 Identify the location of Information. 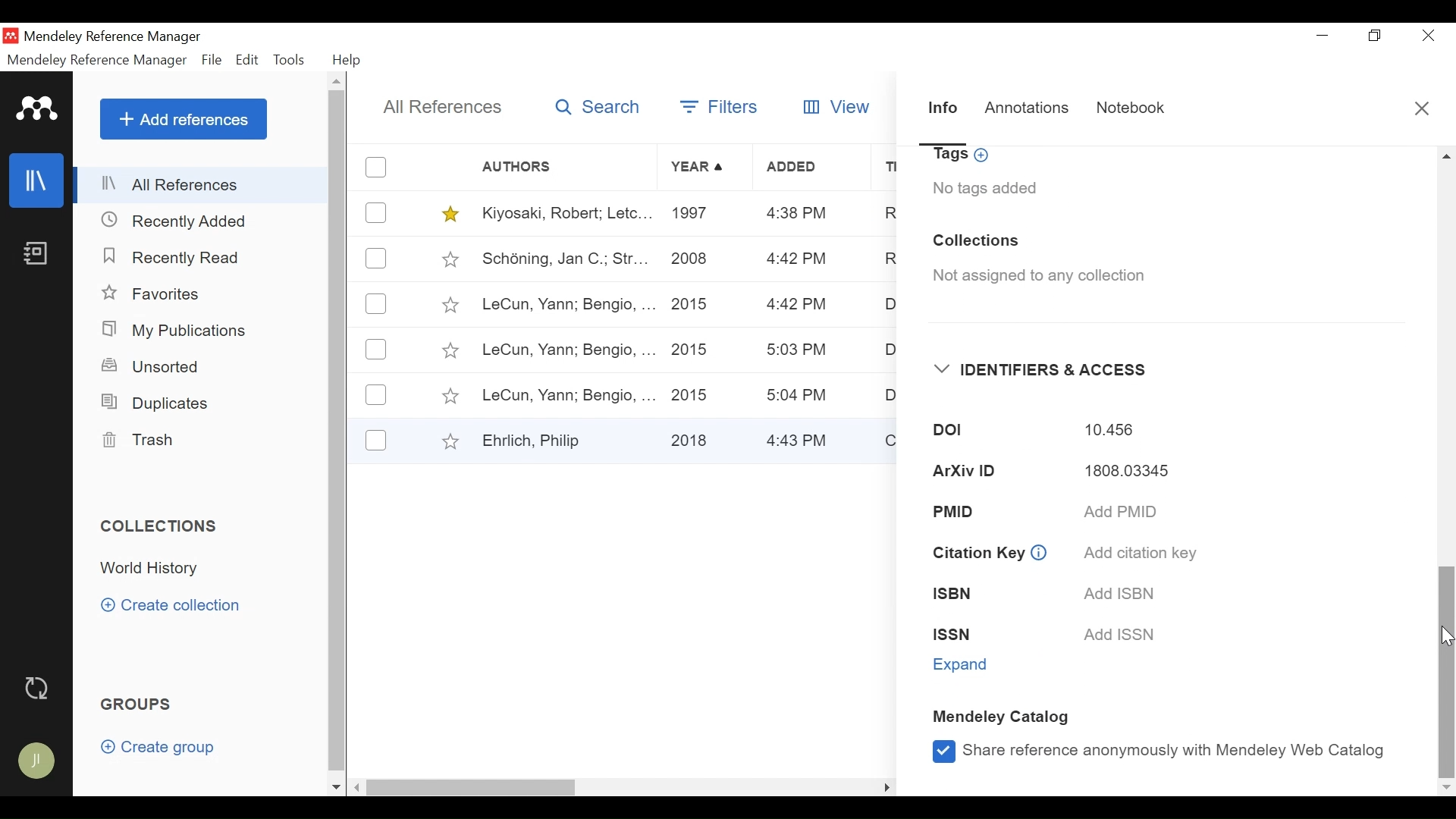
(1040, 551).